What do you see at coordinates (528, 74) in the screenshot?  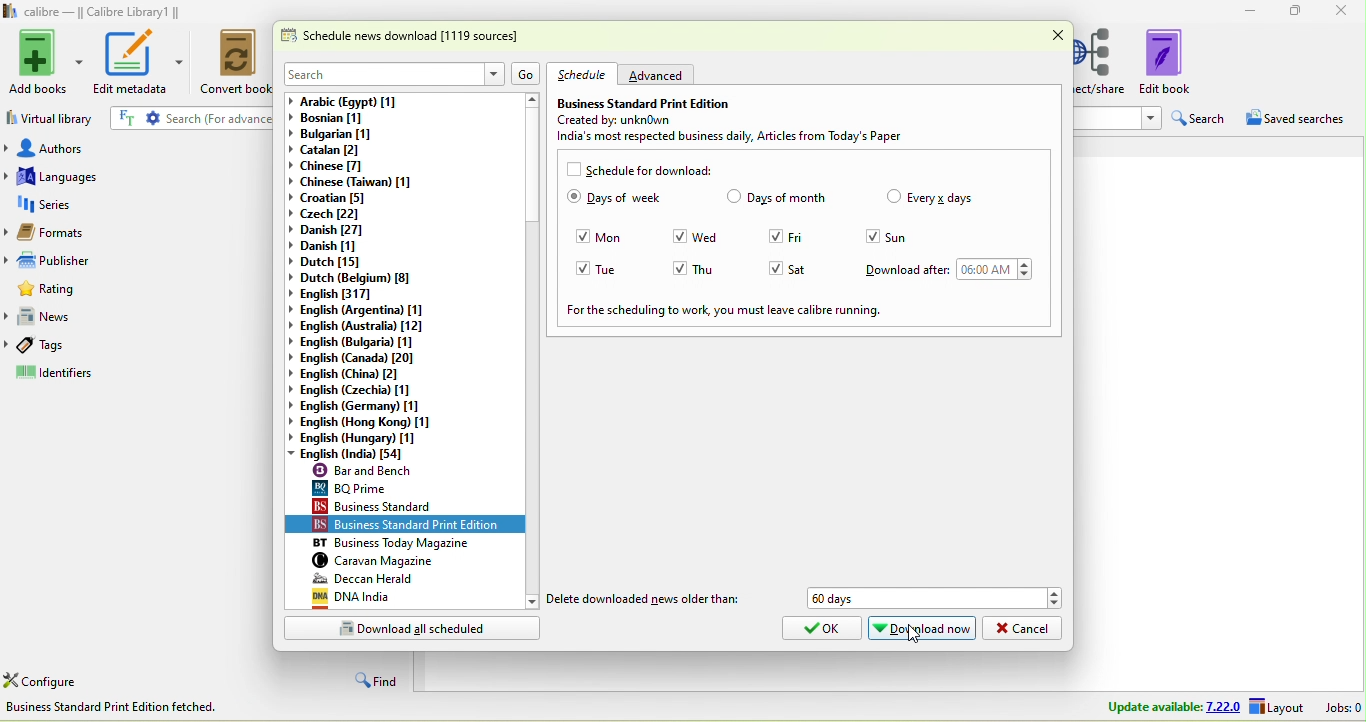 I see `go` at bounding box center [528, 74].